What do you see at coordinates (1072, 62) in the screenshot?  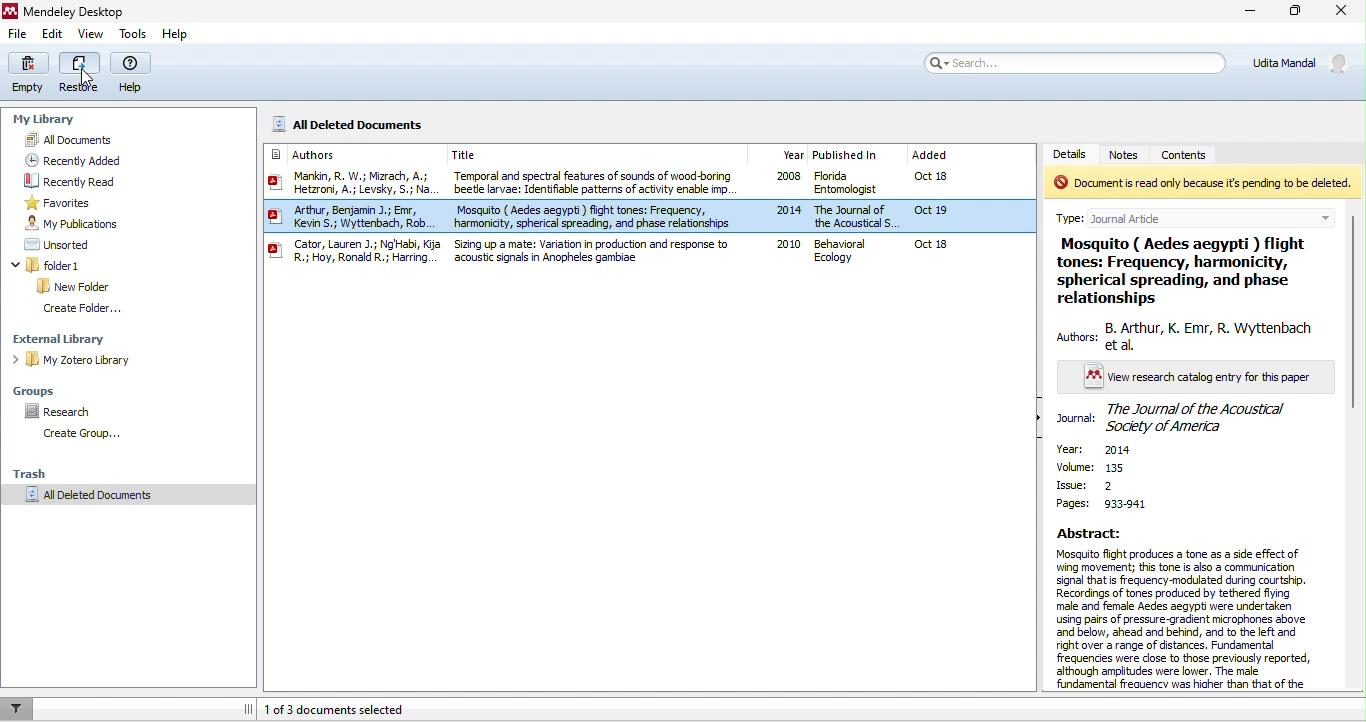 I see `search ` at bounding box center [1072, 62].